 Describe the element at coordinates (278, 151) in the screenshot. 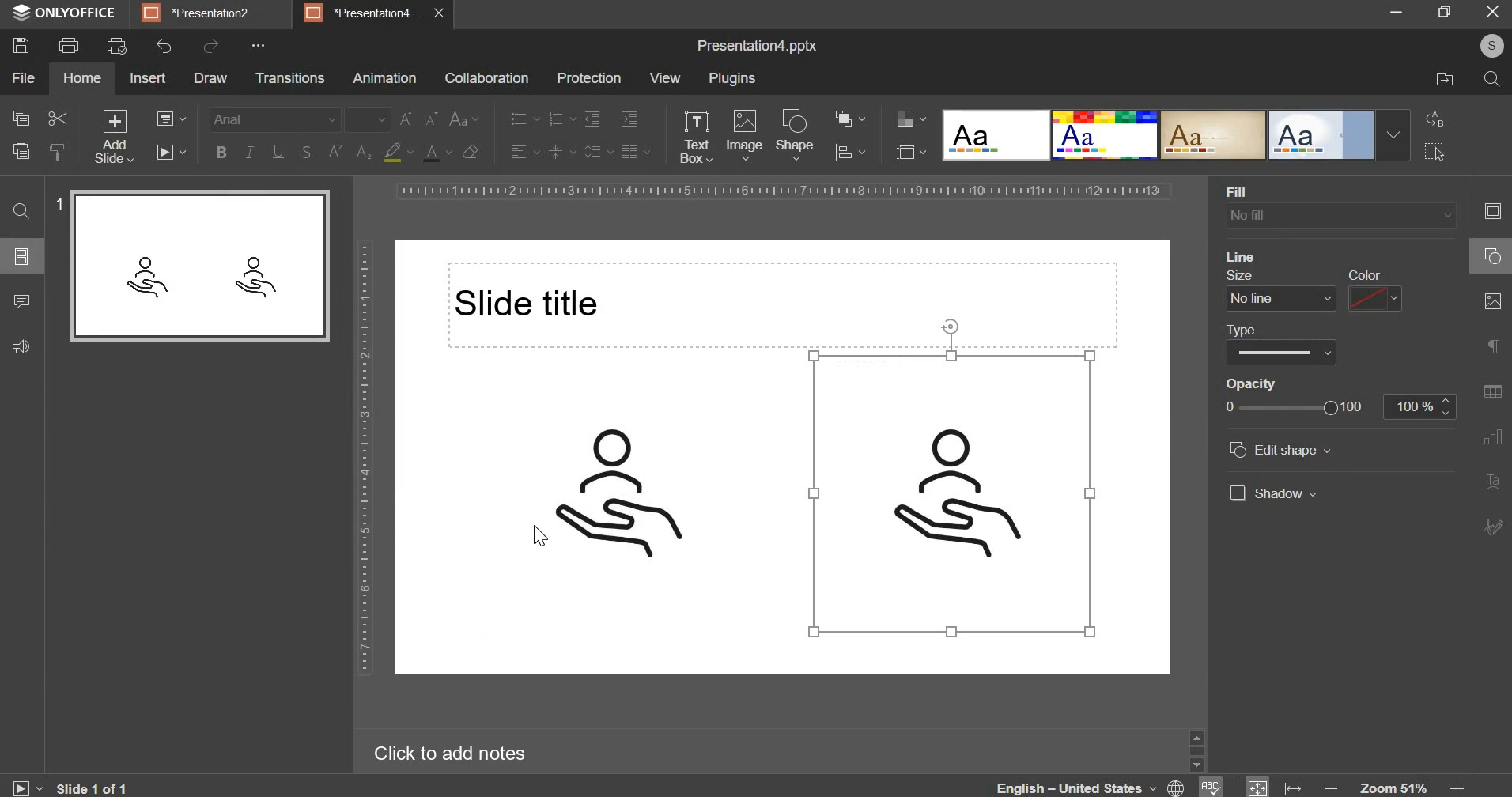

I see `underline` at that location.